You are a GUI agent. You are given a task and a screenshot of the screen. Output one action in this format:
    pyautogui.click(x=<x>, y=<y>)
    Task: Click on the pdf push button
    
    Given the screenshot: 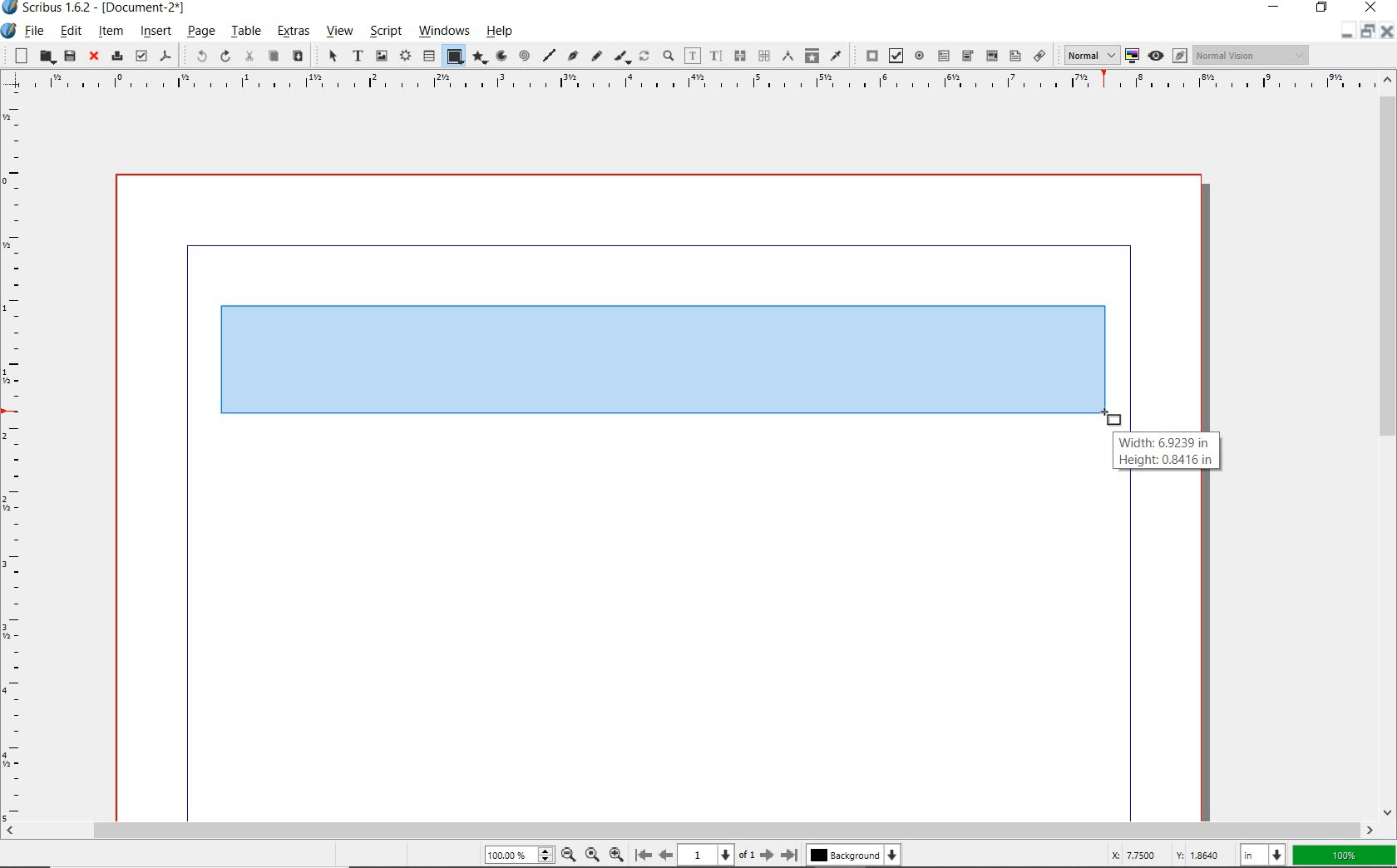 What is the action you would take?
    pyautogui.click(x=867, y=55)
    